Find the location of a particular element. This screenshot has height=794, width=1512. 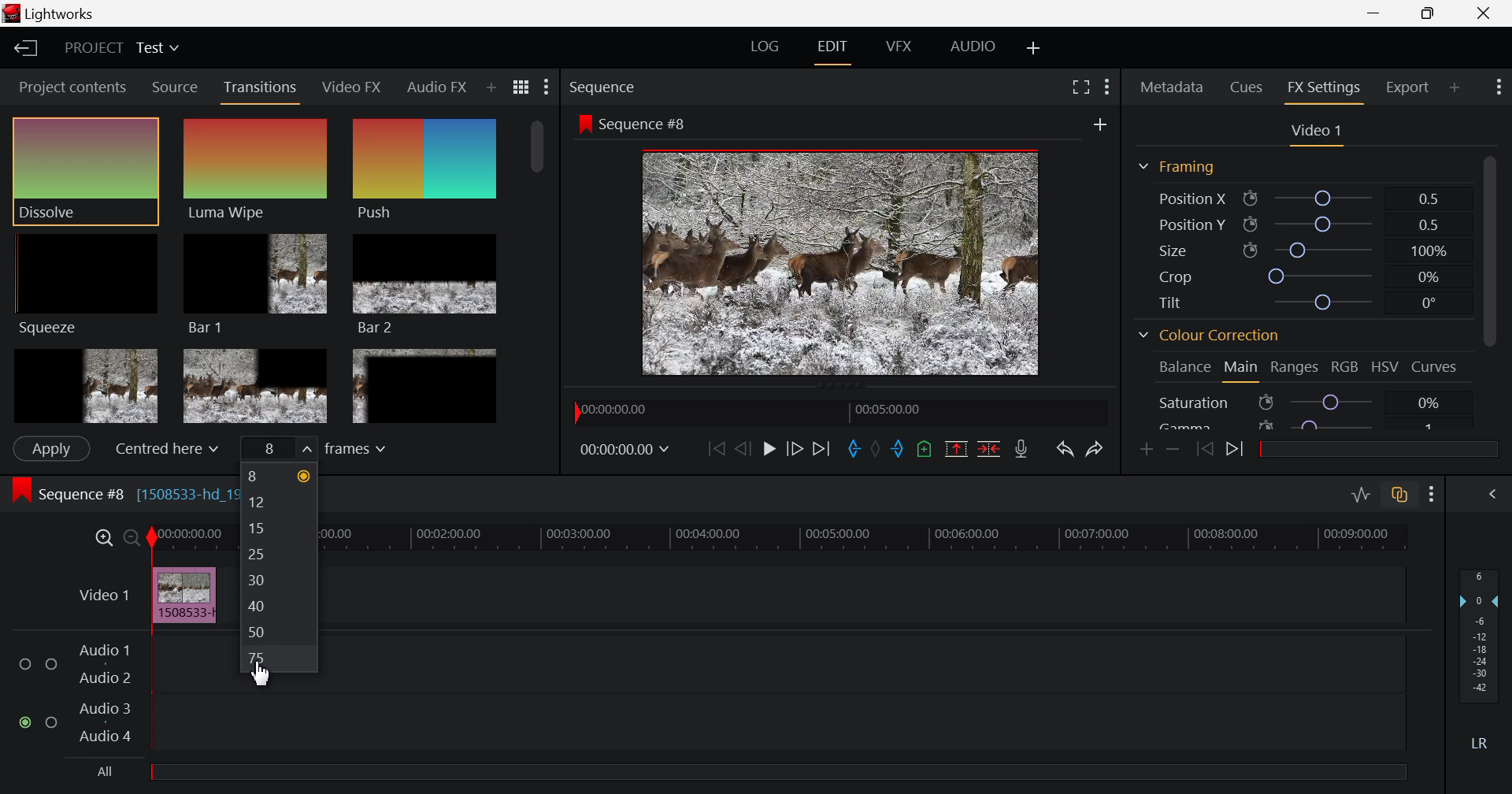

Project Timeline Track is located at coordinates (190, 538).